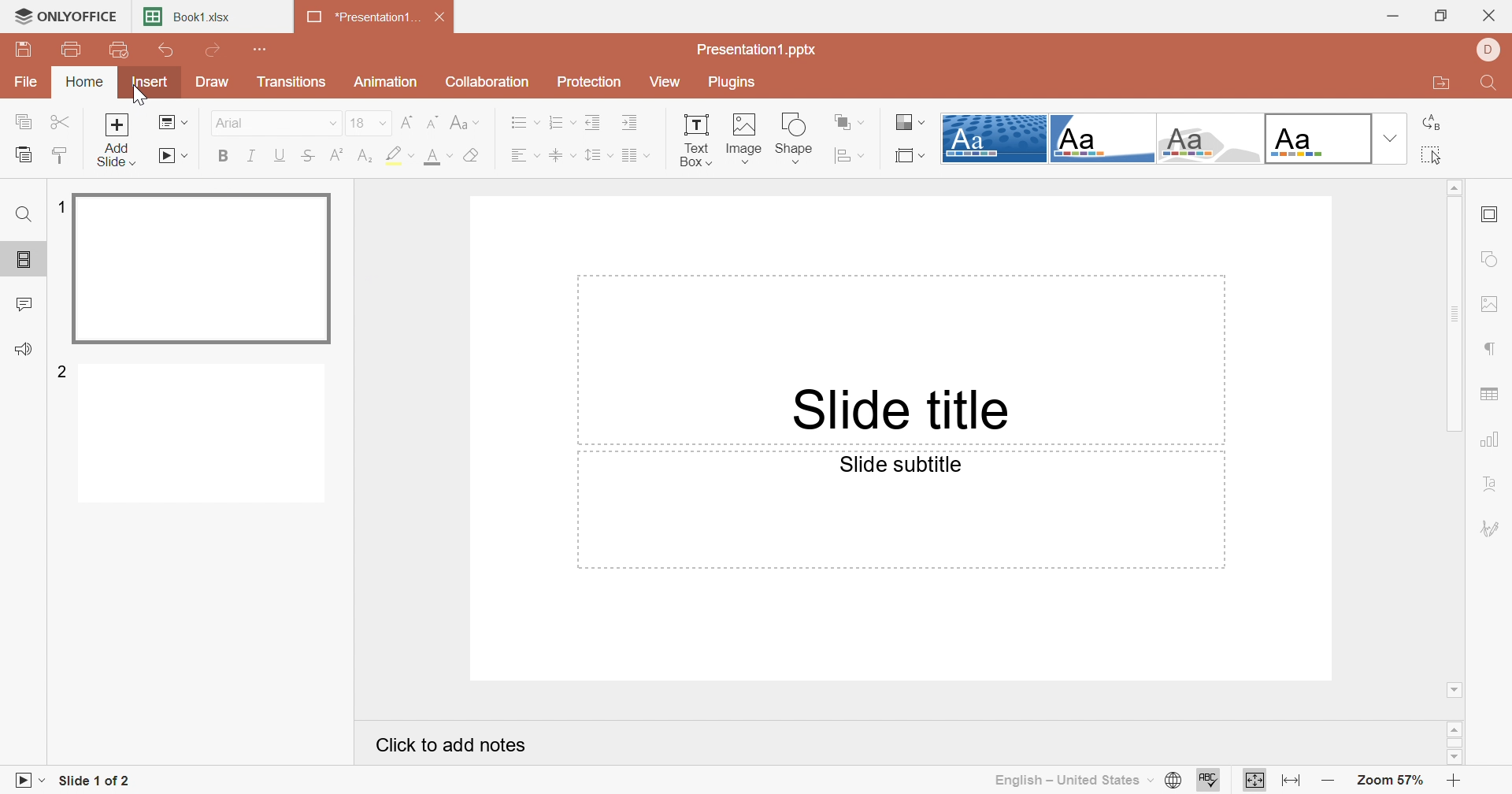  Describe the element at coordinates (58, 207) in the screenshot. I see `1` at that location.